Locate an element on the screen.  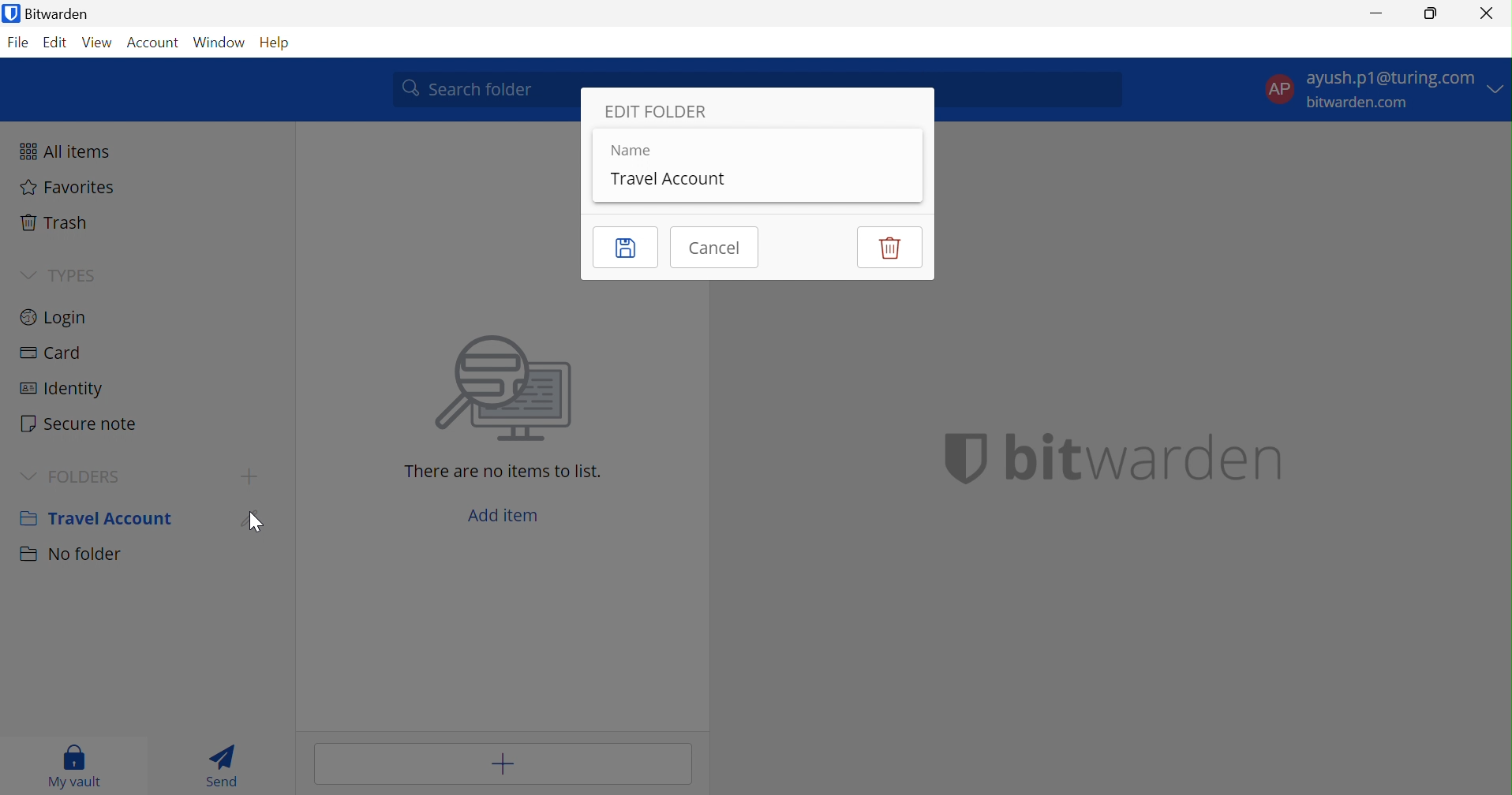
Name is located at coordinates (630, 150).